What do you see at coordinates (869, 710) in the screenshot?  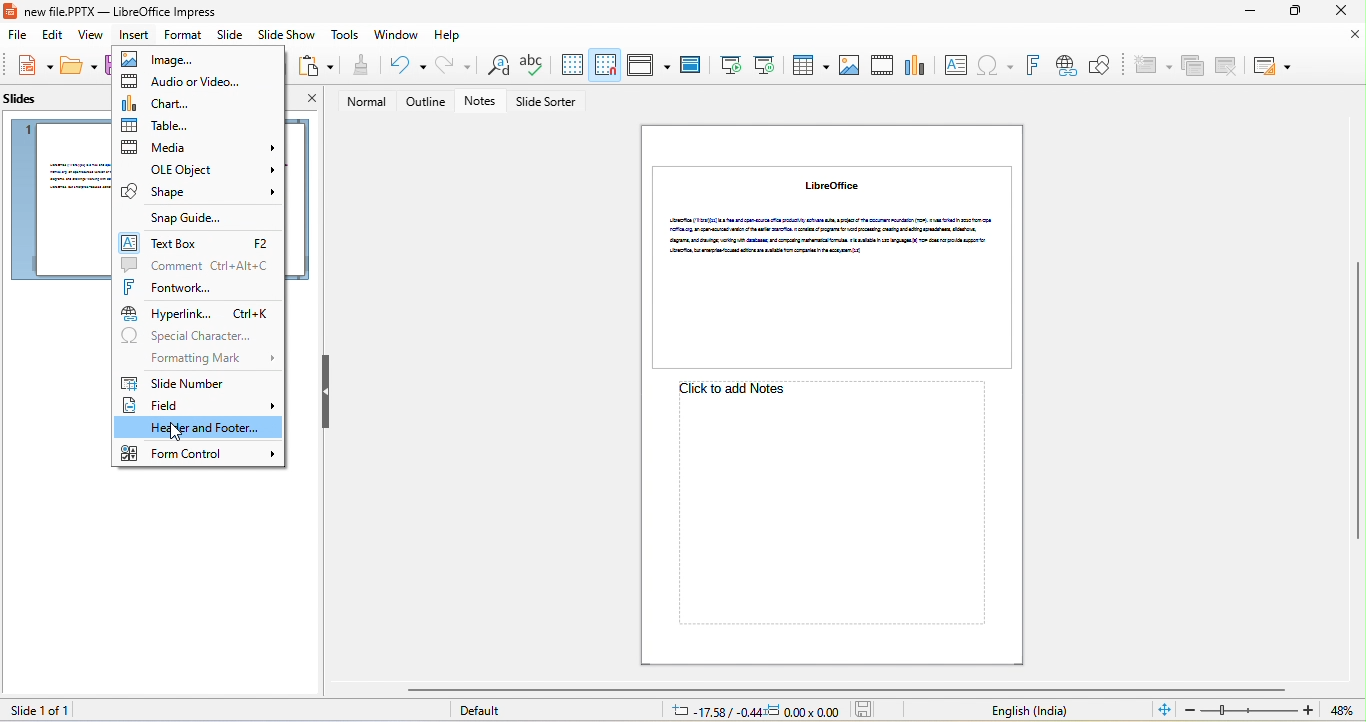 I see `the document has not been modified since the last save` at bounding box center [869, 710].